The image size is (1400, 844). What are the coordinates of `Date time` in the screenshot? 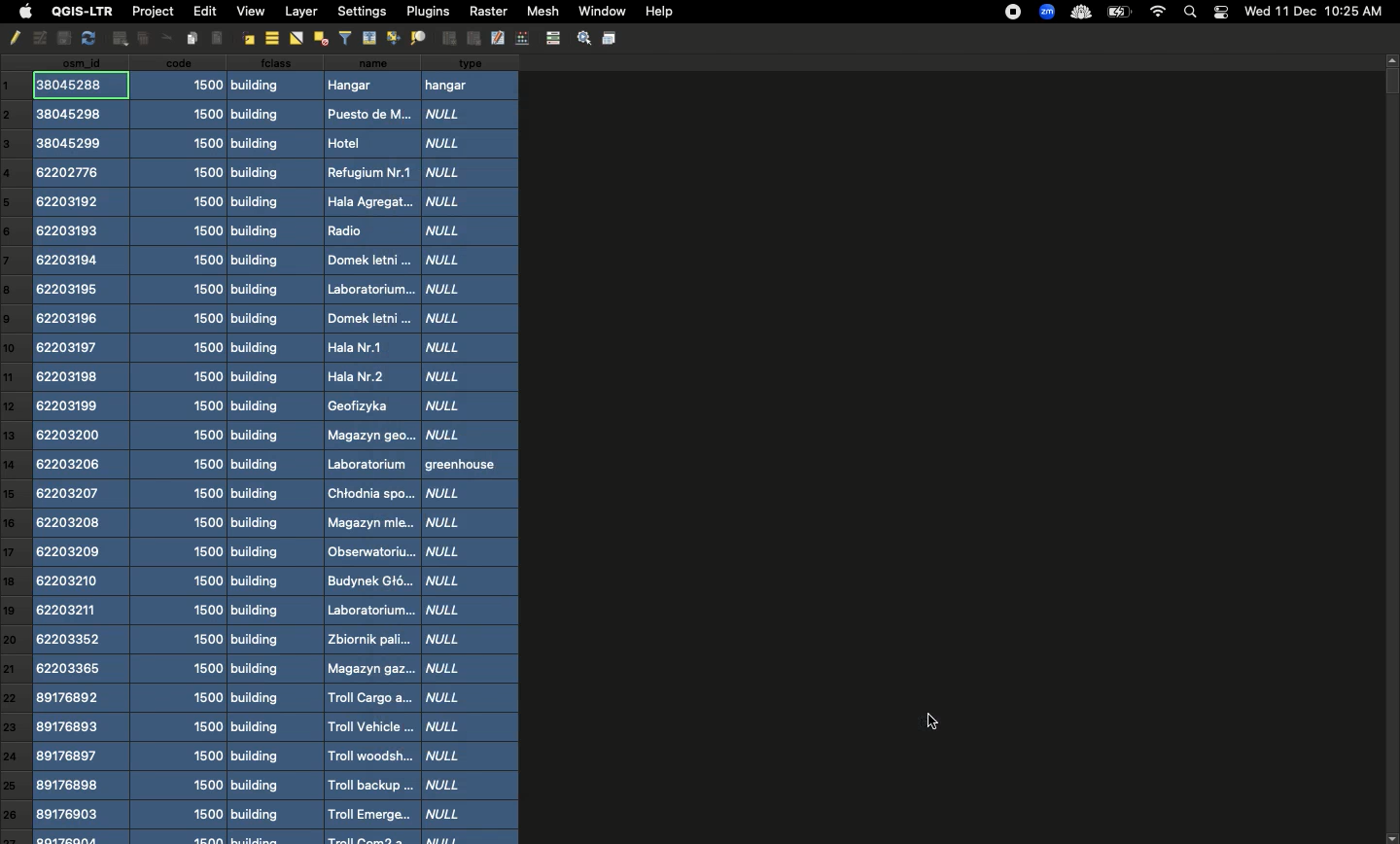 It's located at (1313, 11).